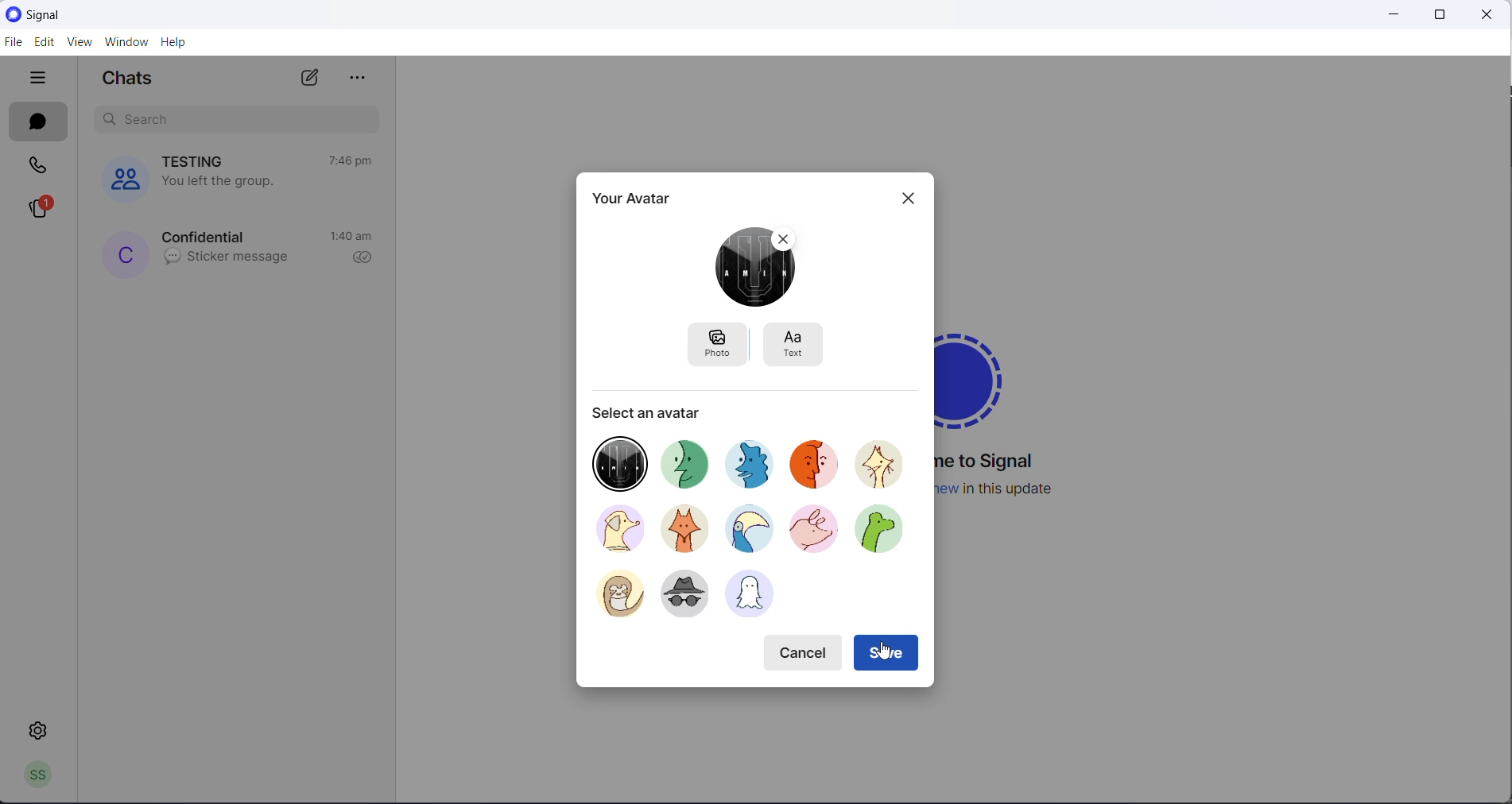 The height and width of the screenshot is (804, 1512). I want to click on avatar, so click(755, 597).